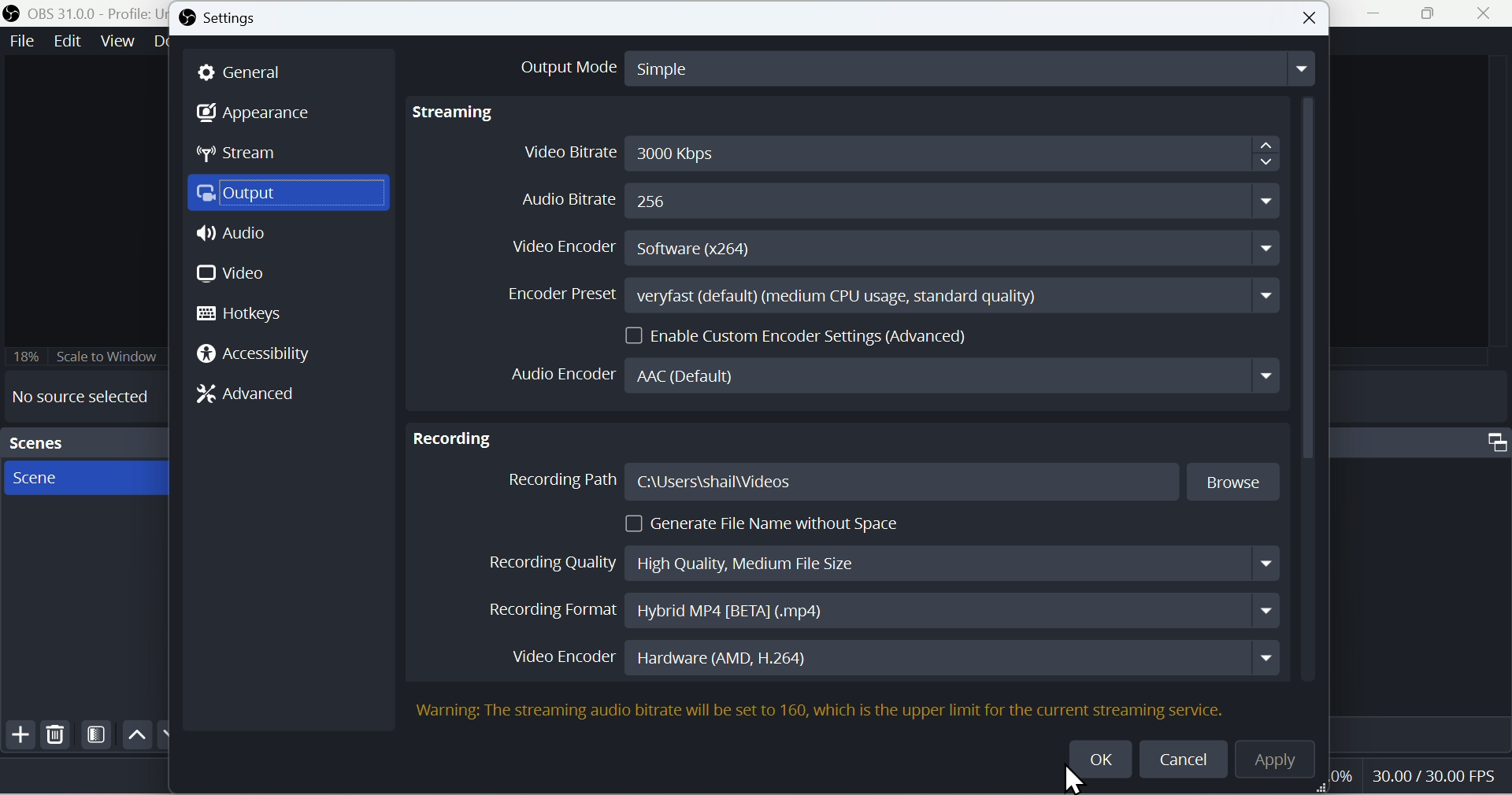  Describe the element at coordinates (879, 559) in the screenshot. I see `Recording Quality` at that location.